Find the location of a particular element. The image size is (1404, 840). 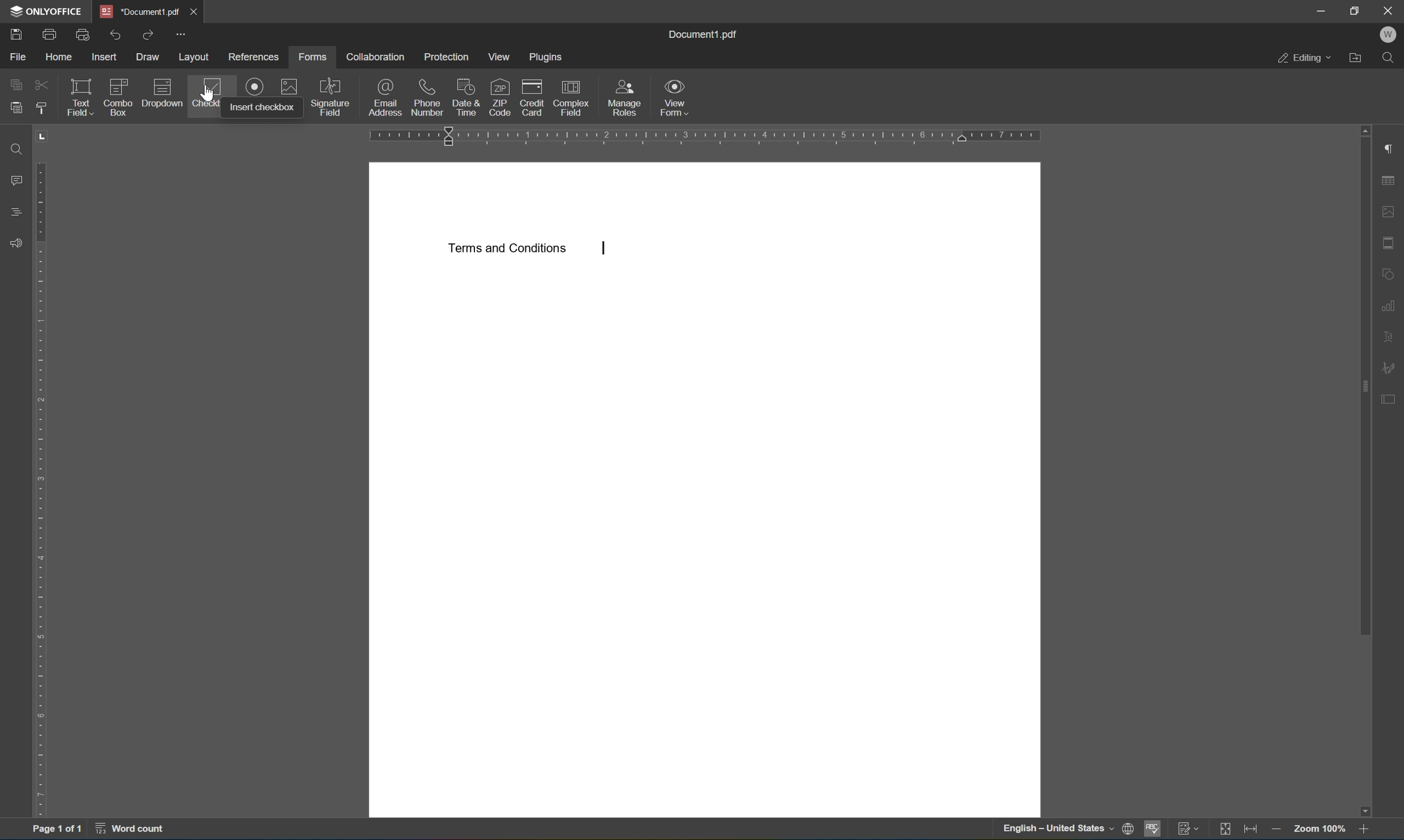

print is located at coordinates (51, 35).